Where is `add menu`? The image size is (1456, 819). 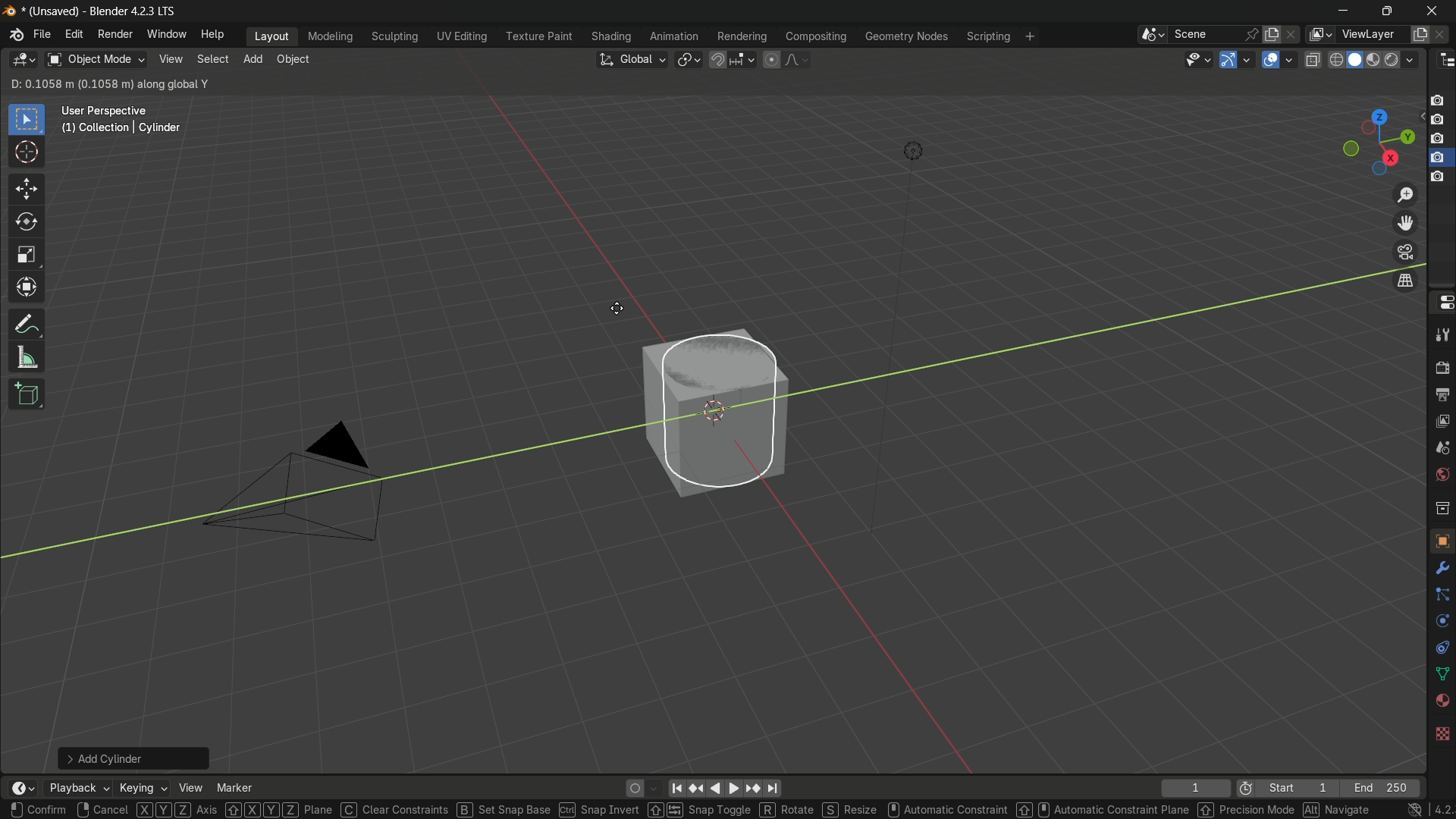 add menu is located at coordinates (251, 60).